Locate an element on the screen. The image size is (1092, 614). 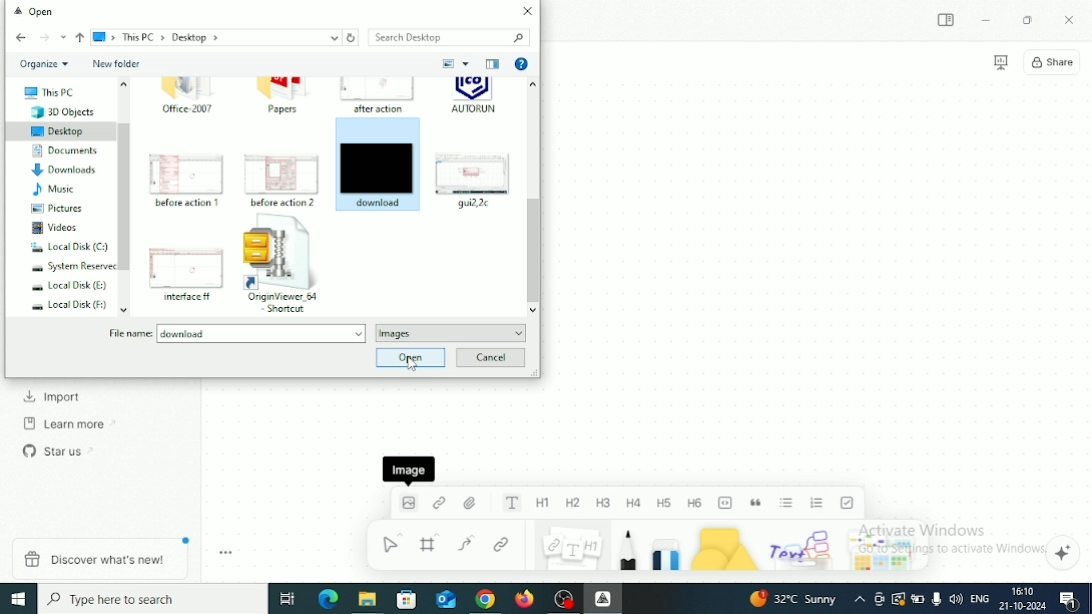
Heading  4 is located at coordinates (634, 504).